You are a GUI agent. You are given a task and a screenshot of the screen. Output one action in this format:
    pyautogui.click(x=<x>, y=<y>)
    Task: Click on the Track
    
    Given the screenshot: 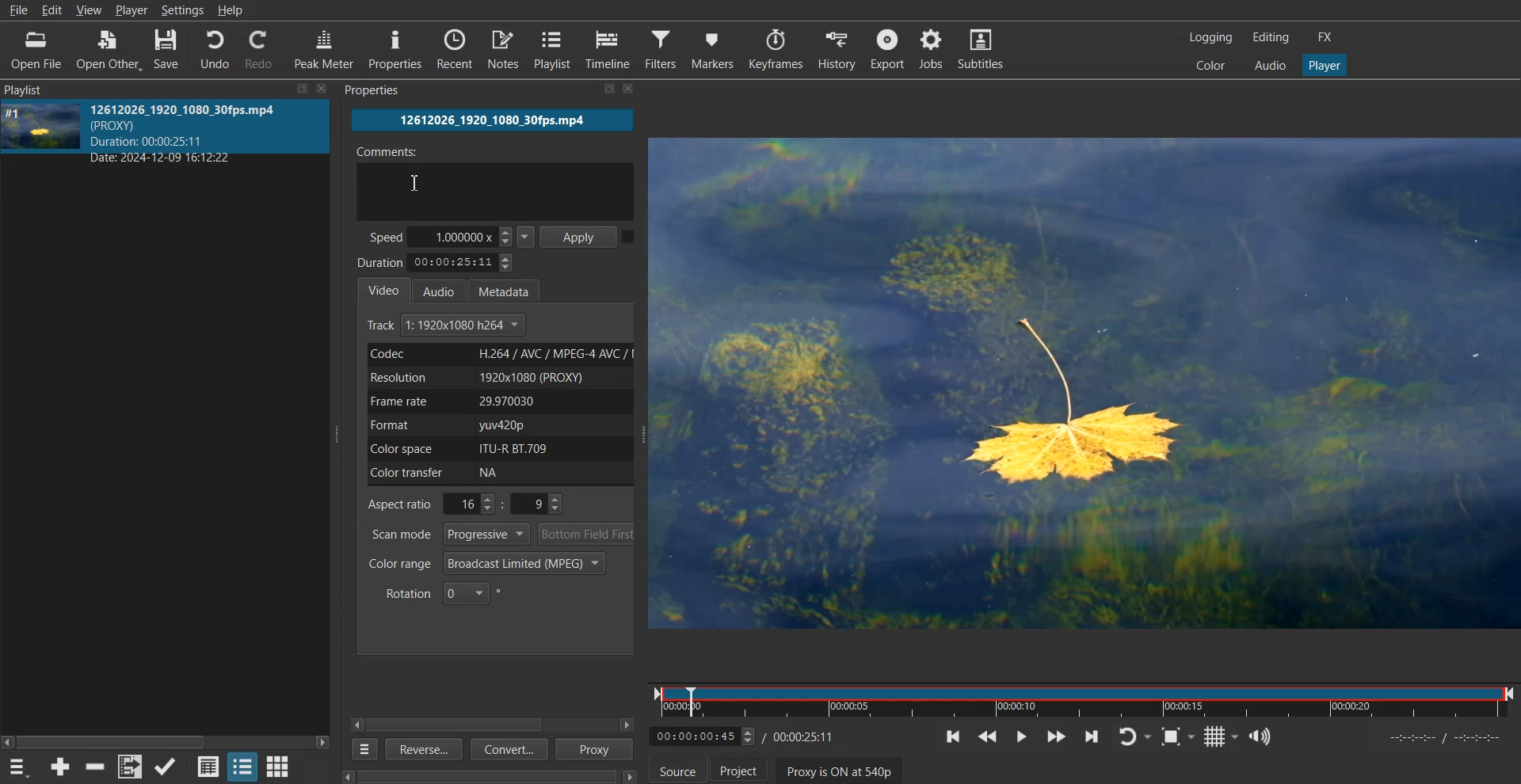 What is the action you would take?
    pyautogui.click(x=448, y=325)
    